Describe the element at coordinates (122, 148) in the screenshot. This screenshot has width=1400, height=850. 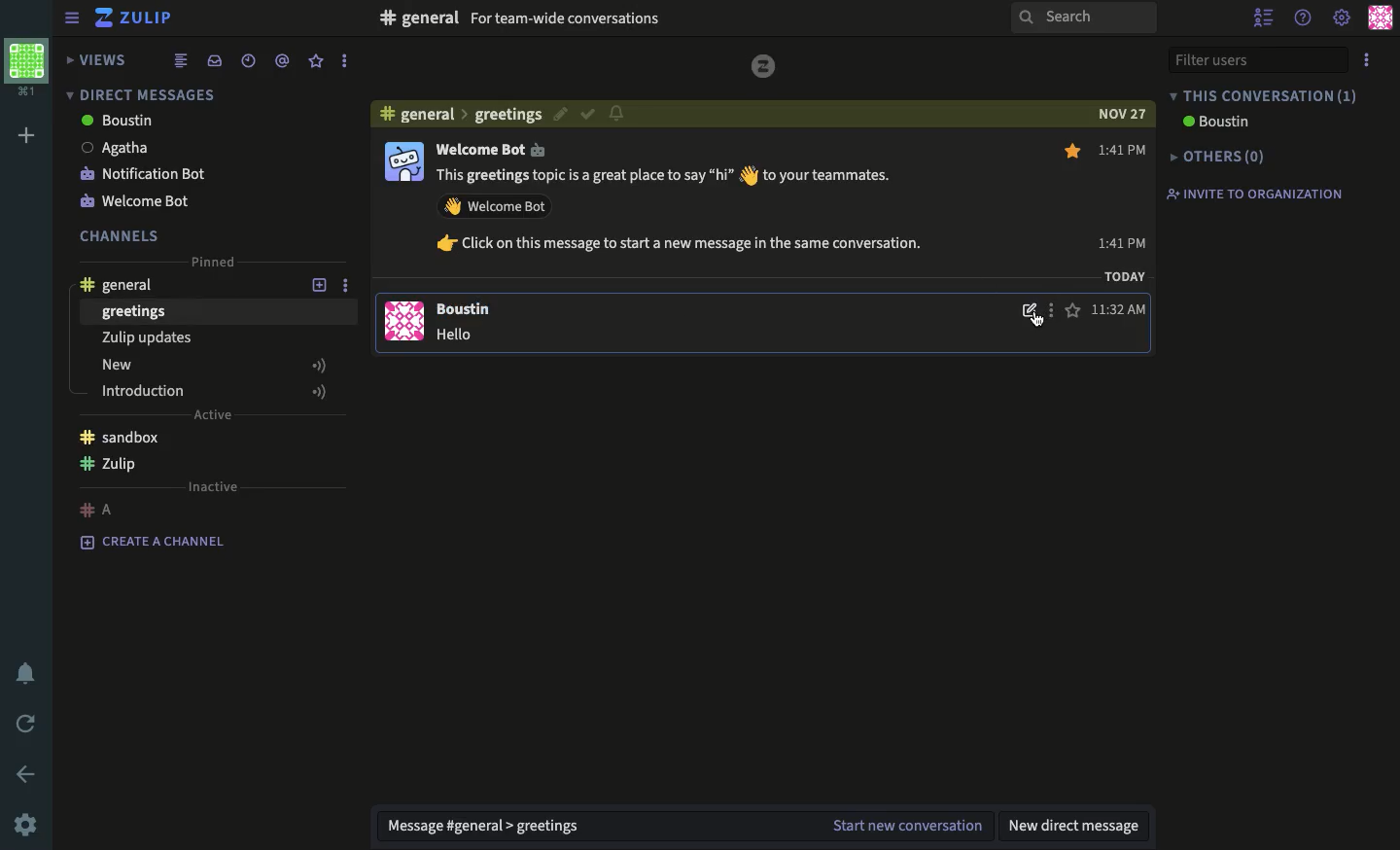
I see `Agatha` at that location.